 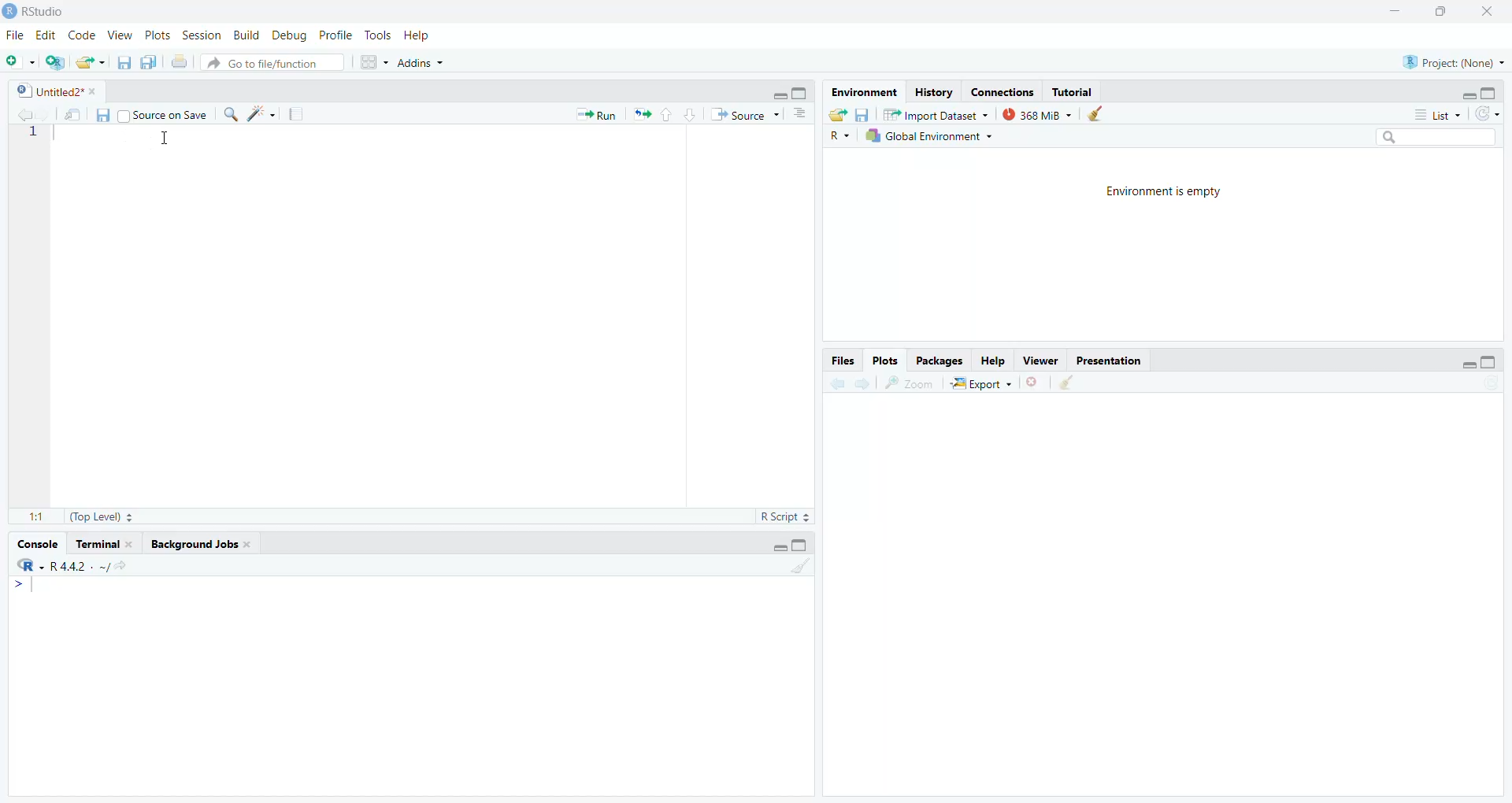 What do you see at coordinates (277, 65) in the screenshot?
I see `»» Go to file/function` at bounding box center [277, 65].